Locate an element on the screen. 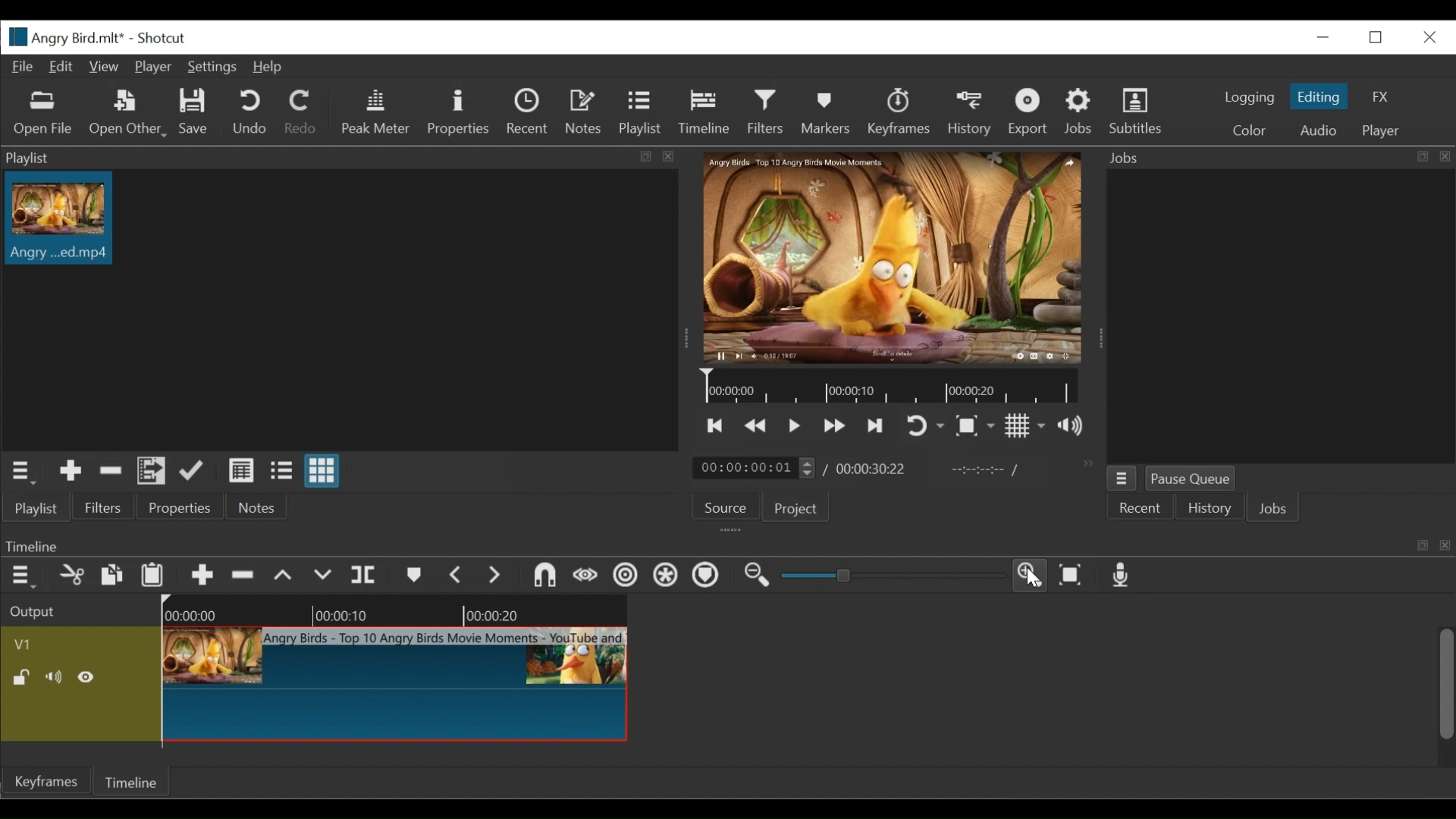 The width and height of the screenshot is (1456, 819). View as details is located at coordinates (240, 471).